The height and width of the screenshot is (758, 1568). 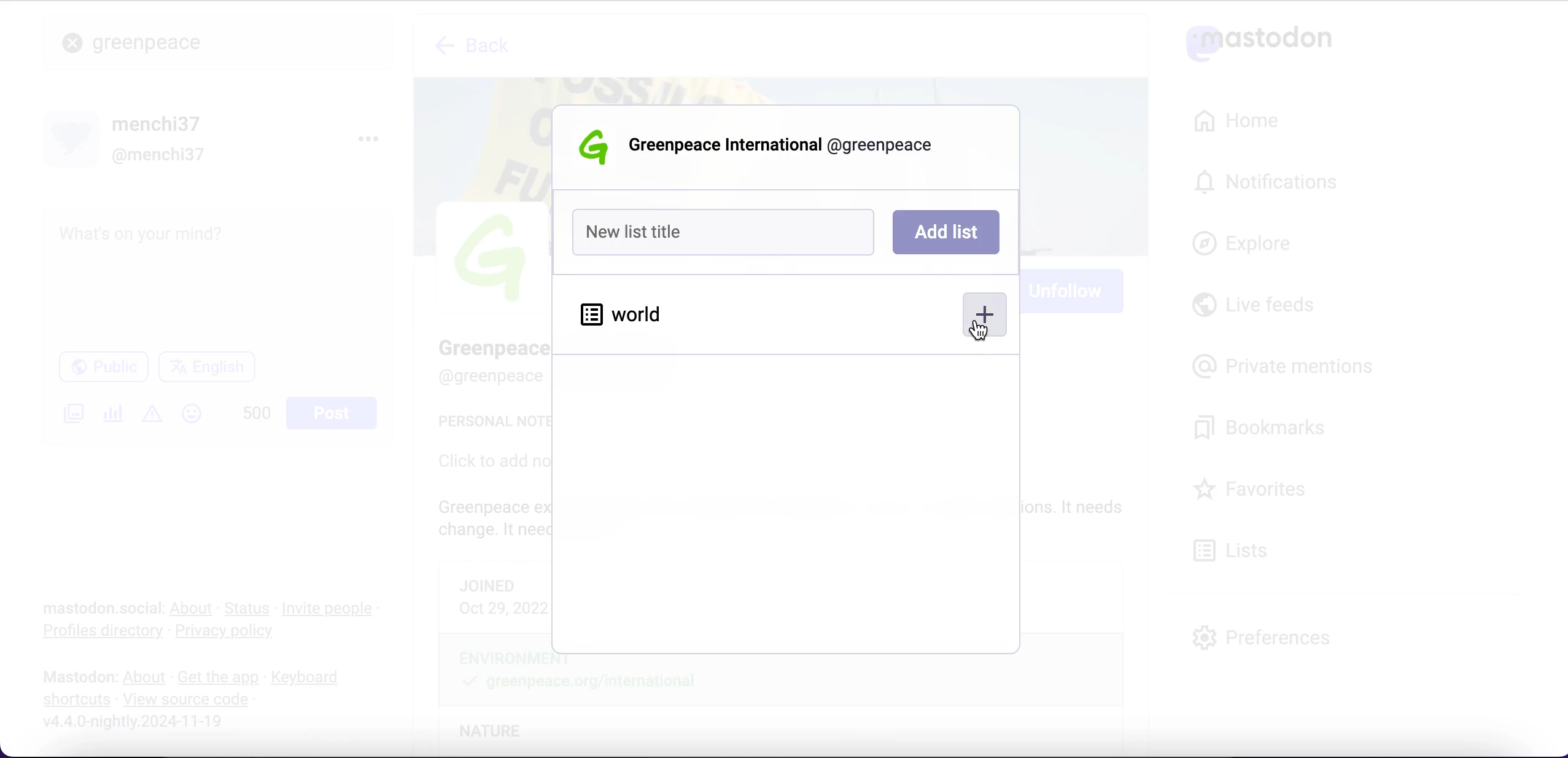 What do you see at coordinates (142, 721) in the screenshot?
I see `2024-11-19` at bounding box center [142, 721].